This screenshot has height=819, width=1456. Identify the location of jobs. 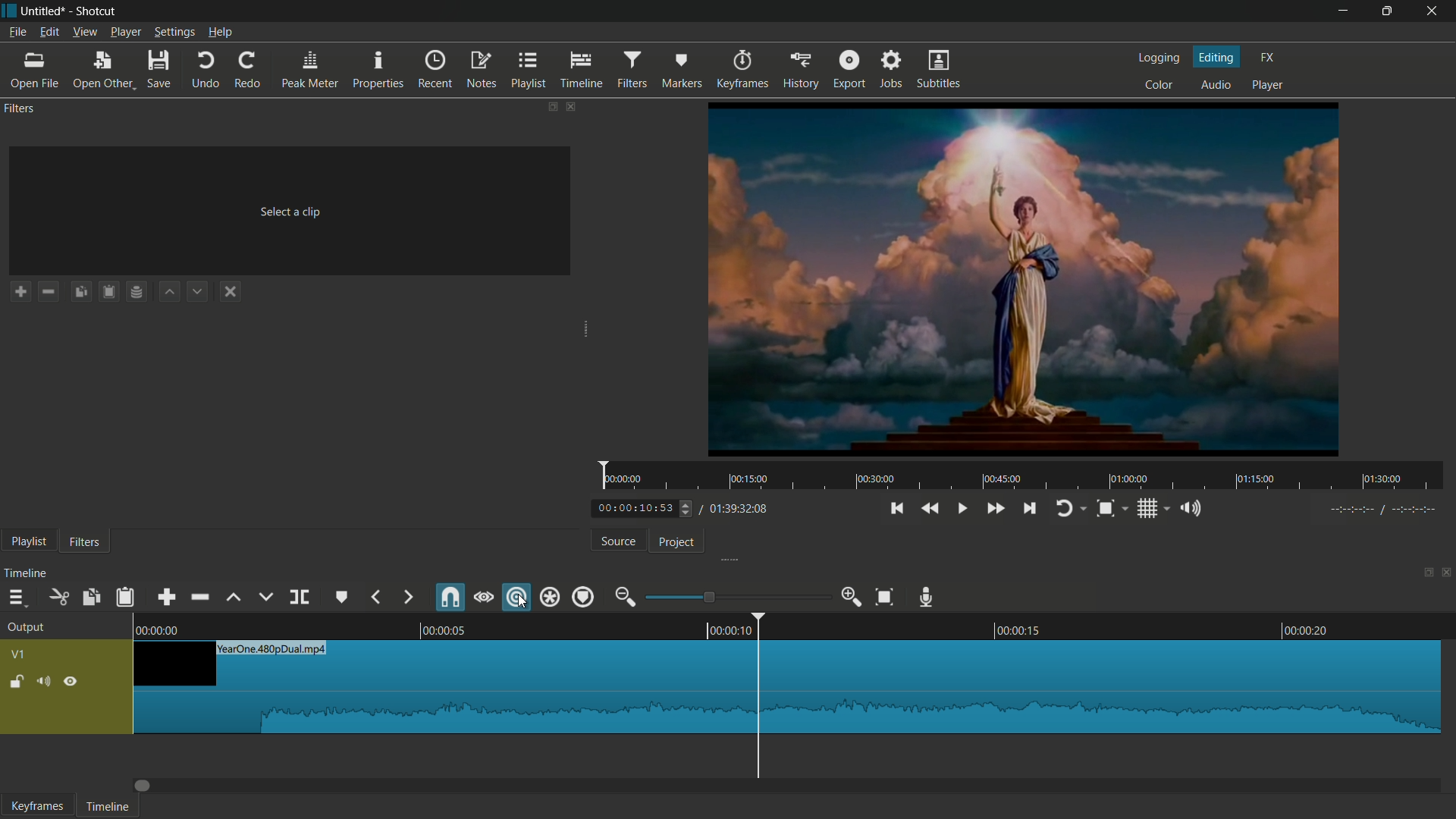
(892, 68).